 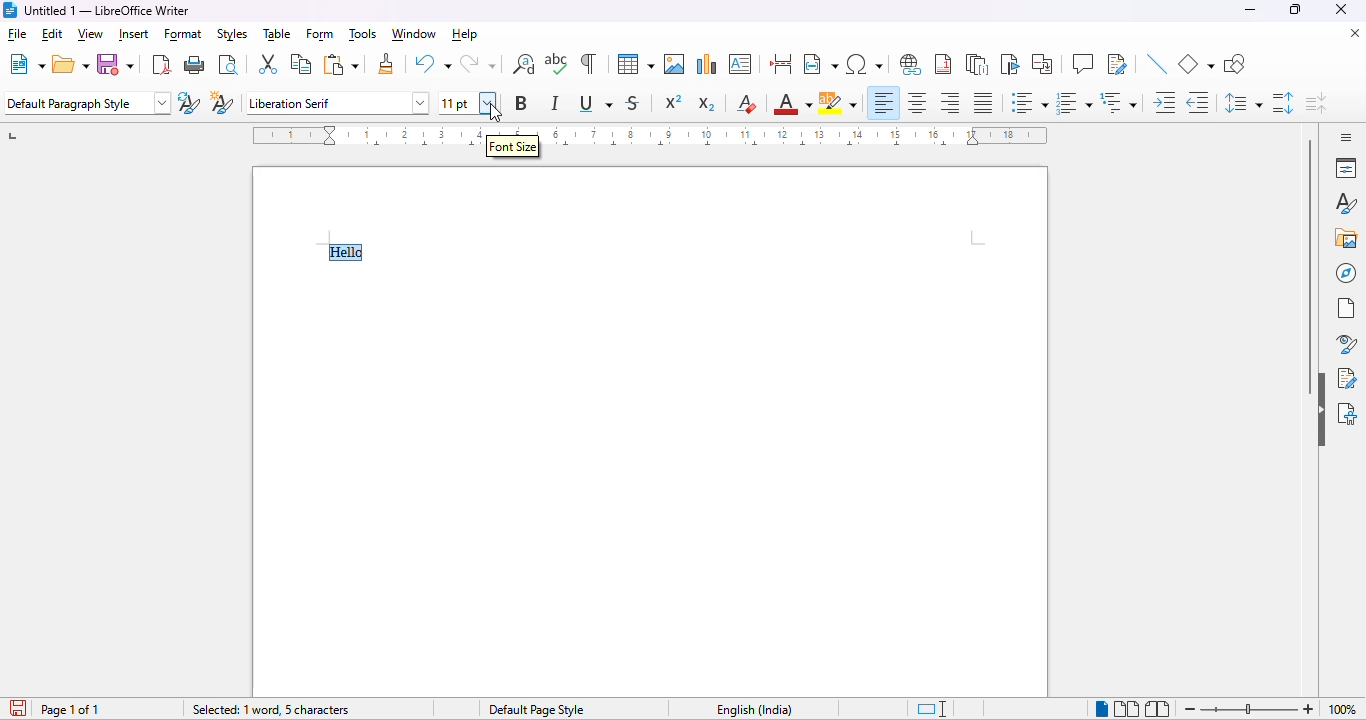 What do you see at coordinates (362, 34) in the screenshot?
I see `tools` at bounding box center [362, 34].